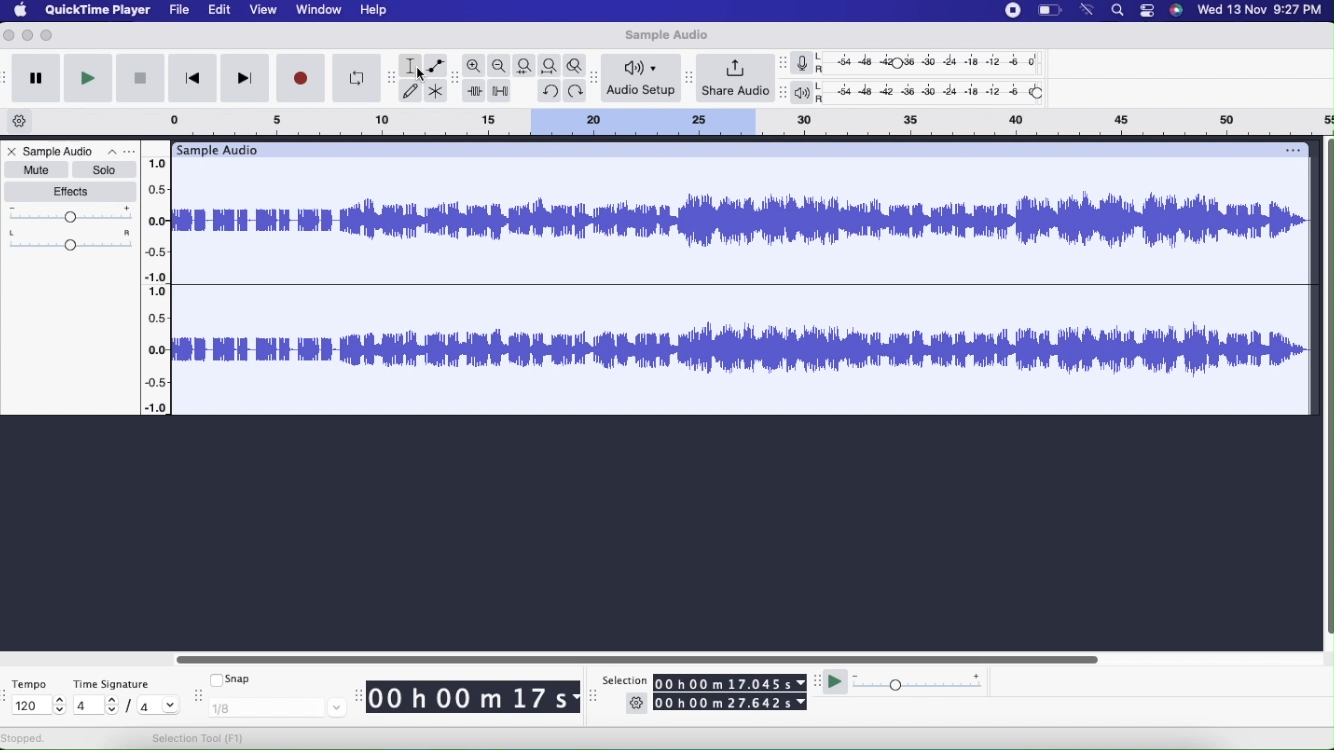  Describe the element at coordinates (597, 79) in the screenshot. I see `move toolbar` at that location.